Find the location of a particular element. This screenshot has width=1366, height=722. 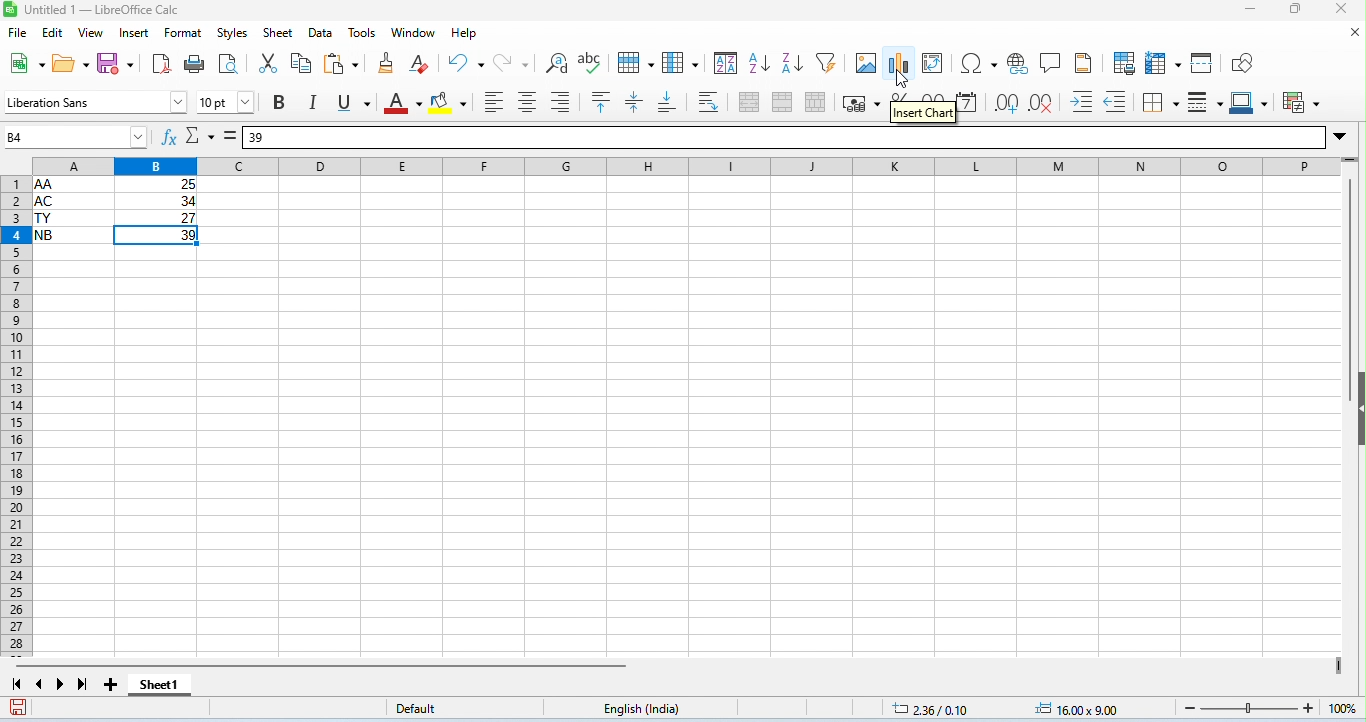

insert comment is located at coordinates (1052, 63).